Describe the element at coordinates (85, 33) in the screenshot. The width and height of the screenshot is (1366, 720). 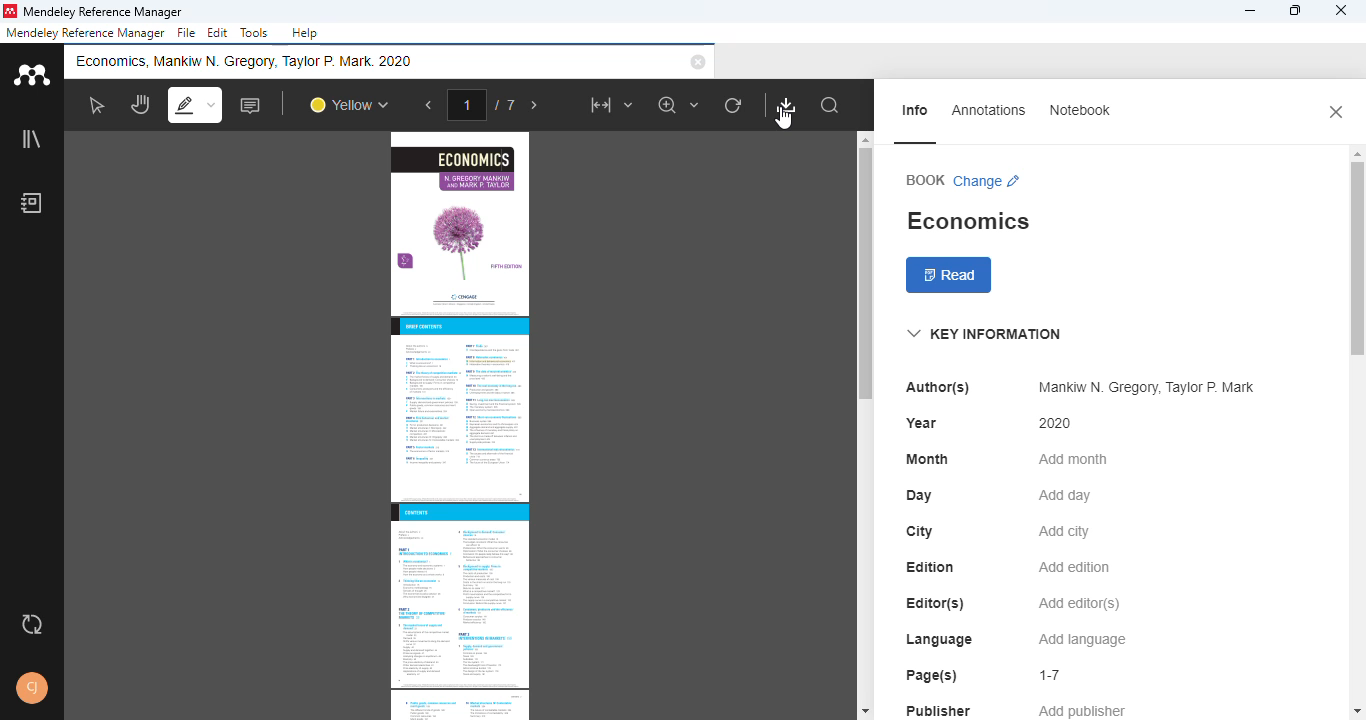
I see `mendeley reference manager` at that location.